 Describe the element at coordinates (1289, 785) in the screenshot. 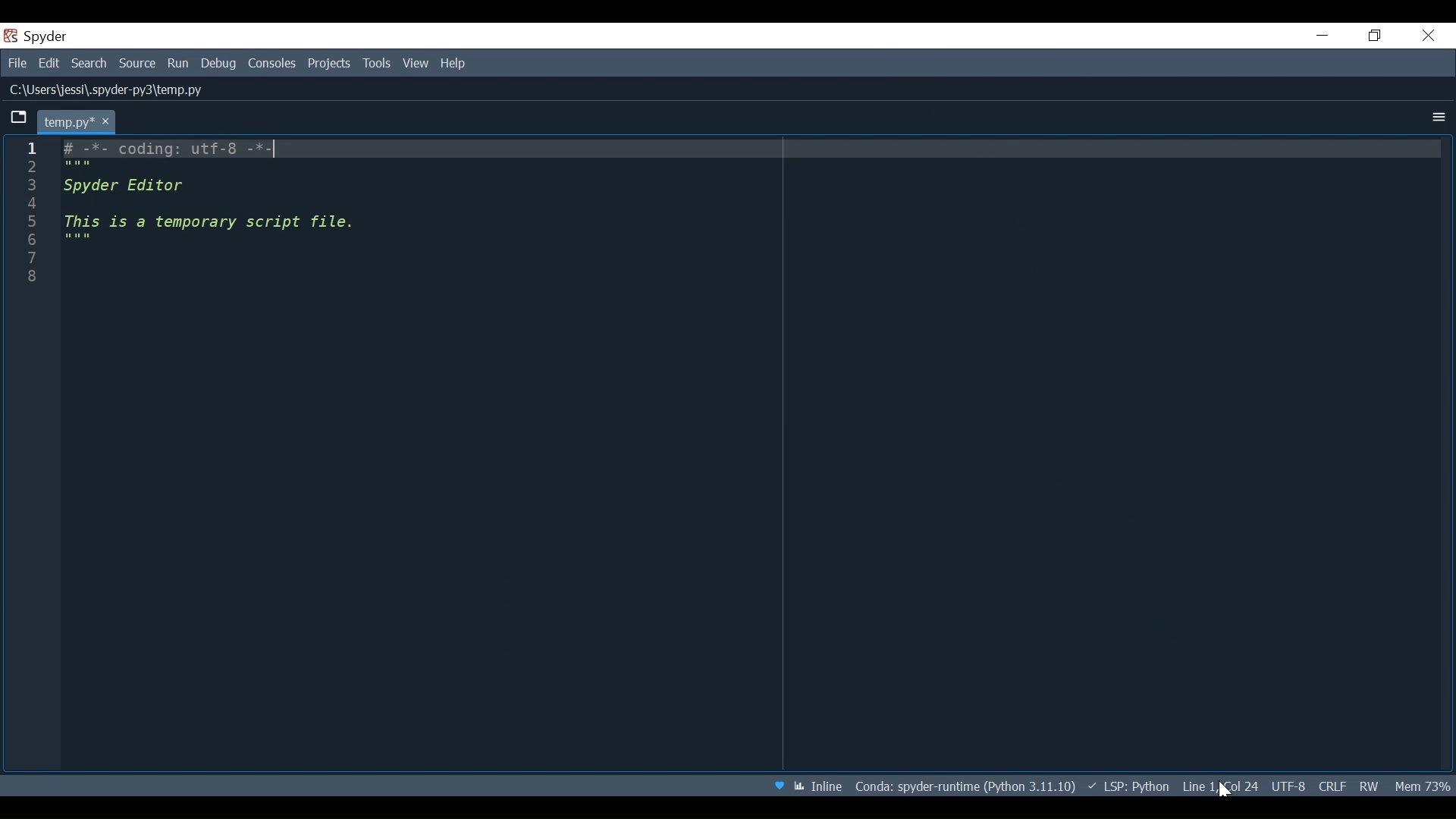

I see `File Encoding` at that location.